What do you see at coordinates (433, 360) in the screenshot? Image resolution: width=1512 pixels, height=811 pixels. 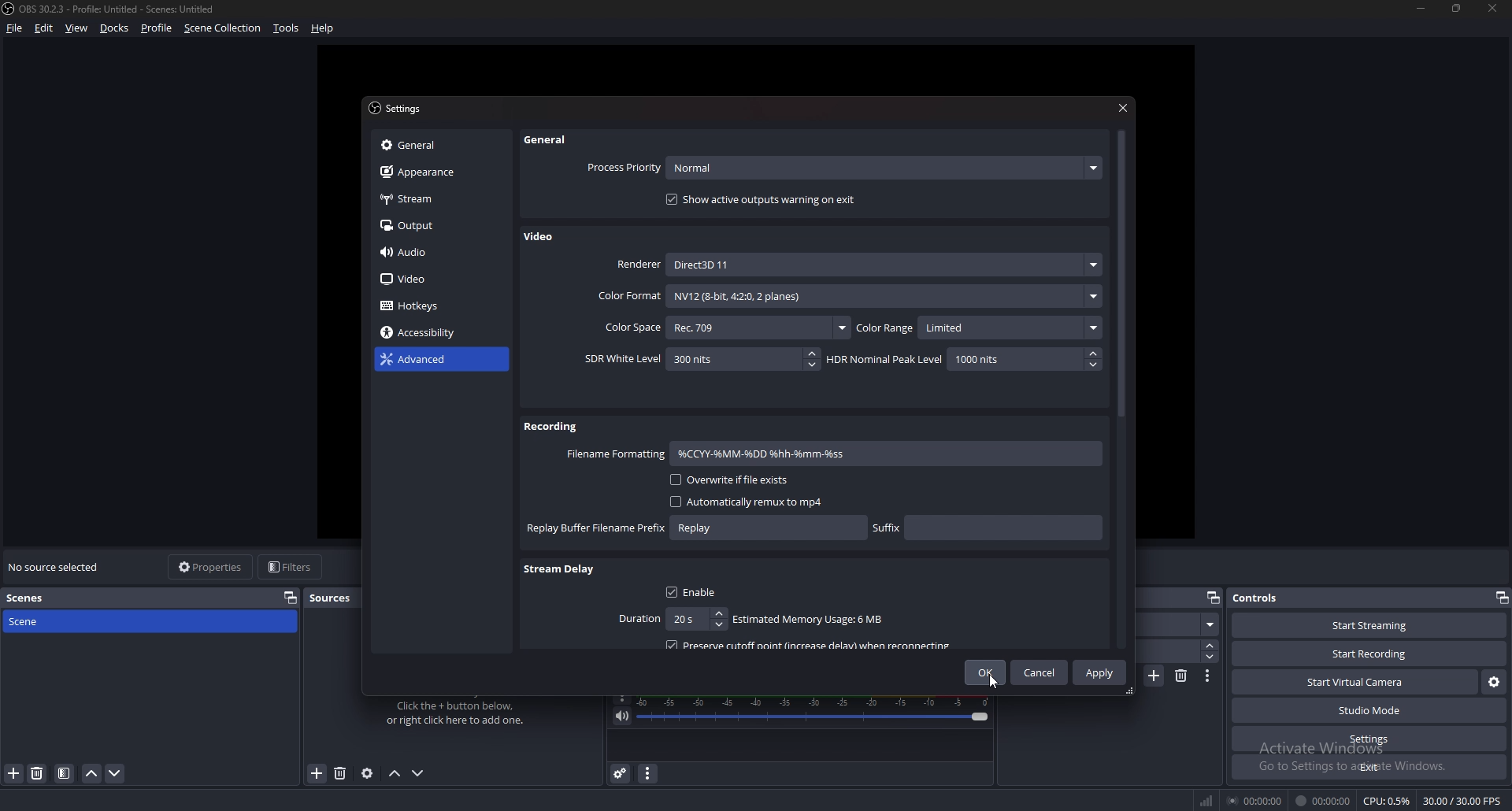 I see `Advanced` at bounding box center [433, 360].